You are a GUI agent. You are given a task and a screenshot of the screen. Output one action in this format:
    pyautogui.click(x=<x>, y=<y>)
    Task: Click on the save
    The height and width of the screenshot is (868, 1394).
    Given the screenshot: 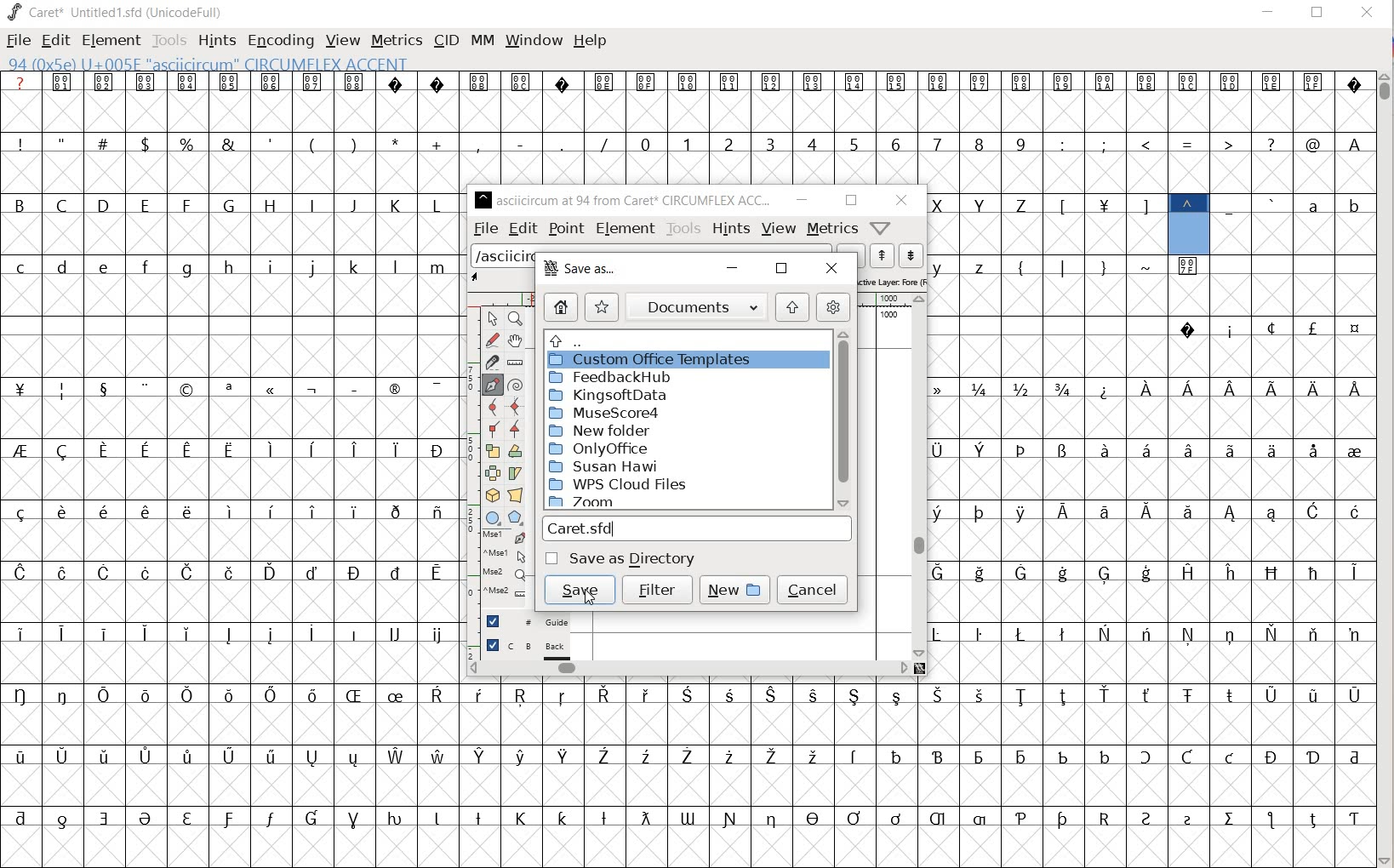 What is the action you would take?
    pyautogui.click(x=579, y=588)
    